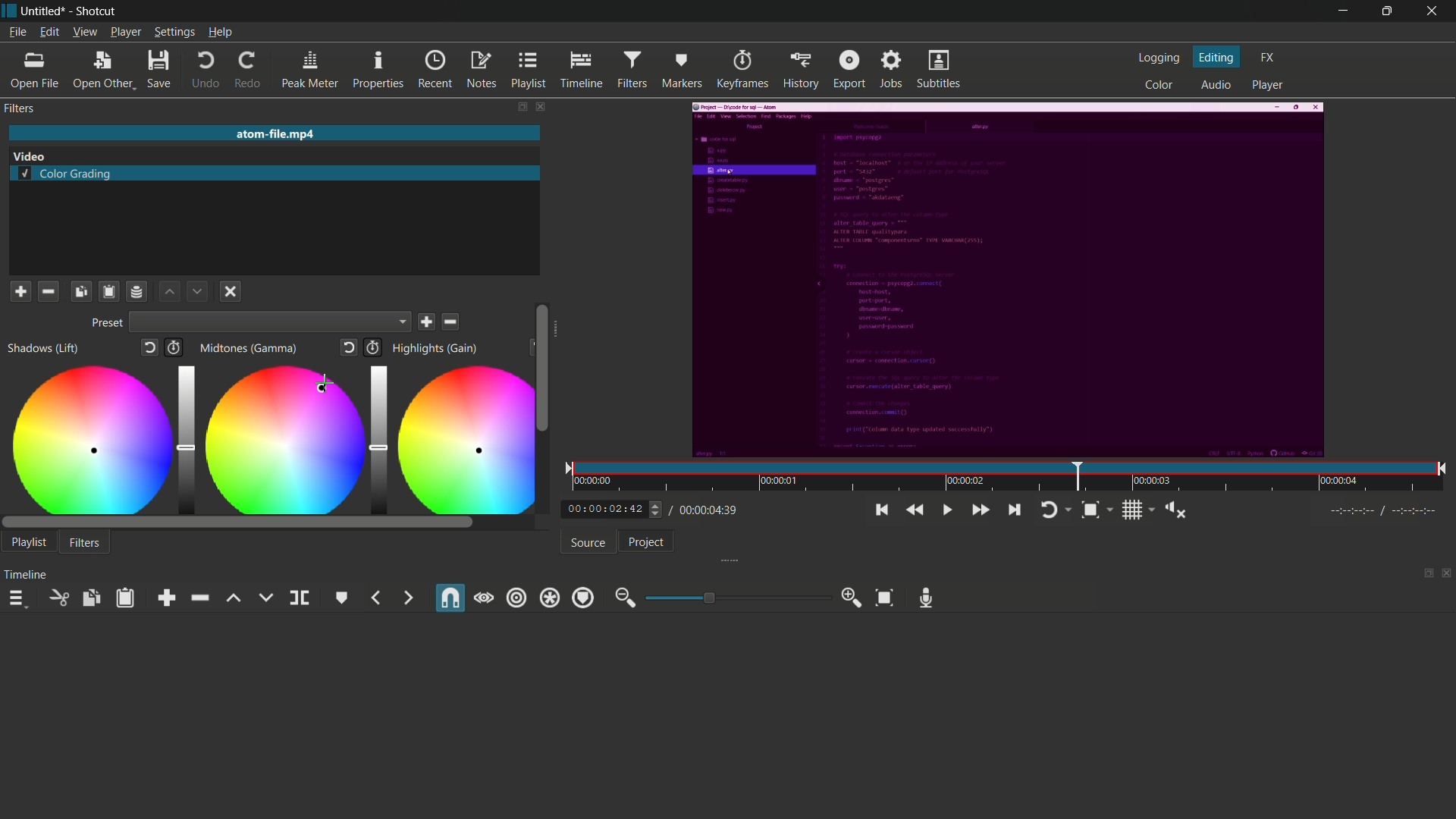 This screenshot has width=1456, height=819. What do you see at coordinates (880, 510) in the screenshot?
I see `skip to the previous point` at bounding box center [880, 510].